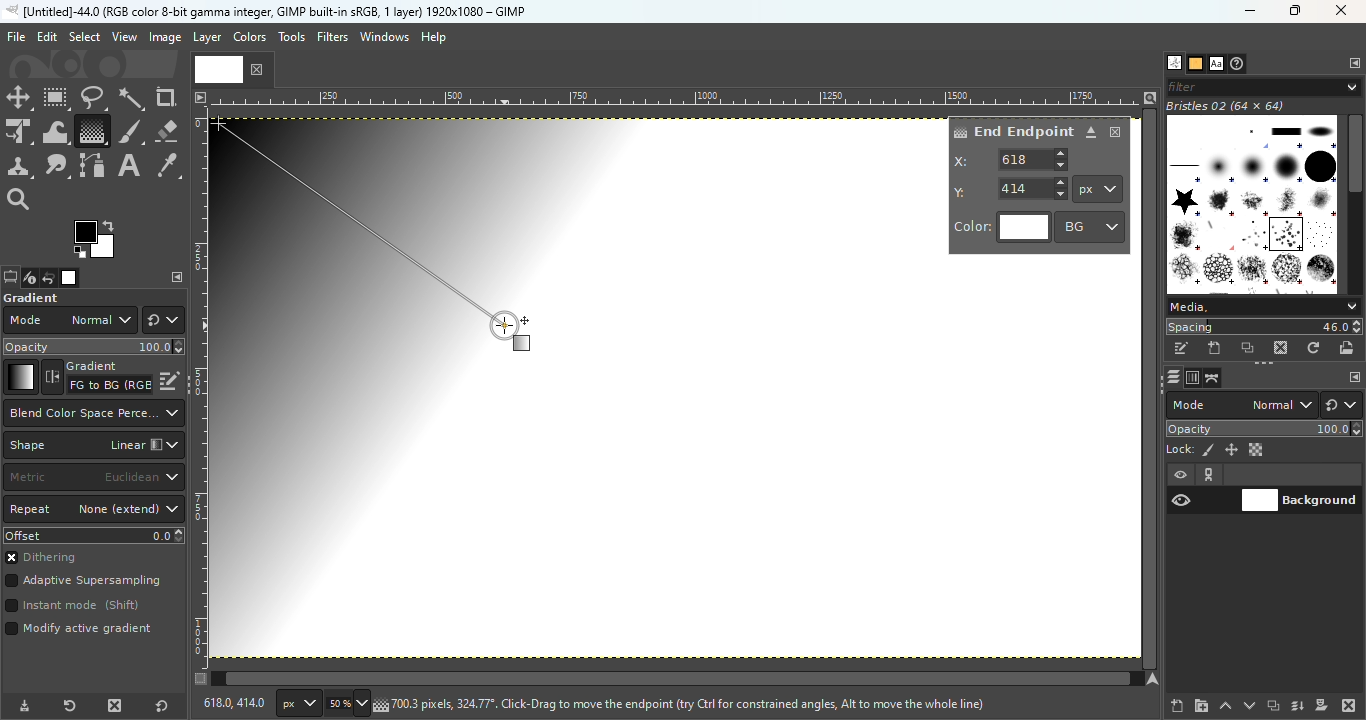 The image size is (1366, 720). What do you see at coordinates (49, 277) in the screenshot?
I see `Open the undo history dialog` at bounding box center [49, 277].